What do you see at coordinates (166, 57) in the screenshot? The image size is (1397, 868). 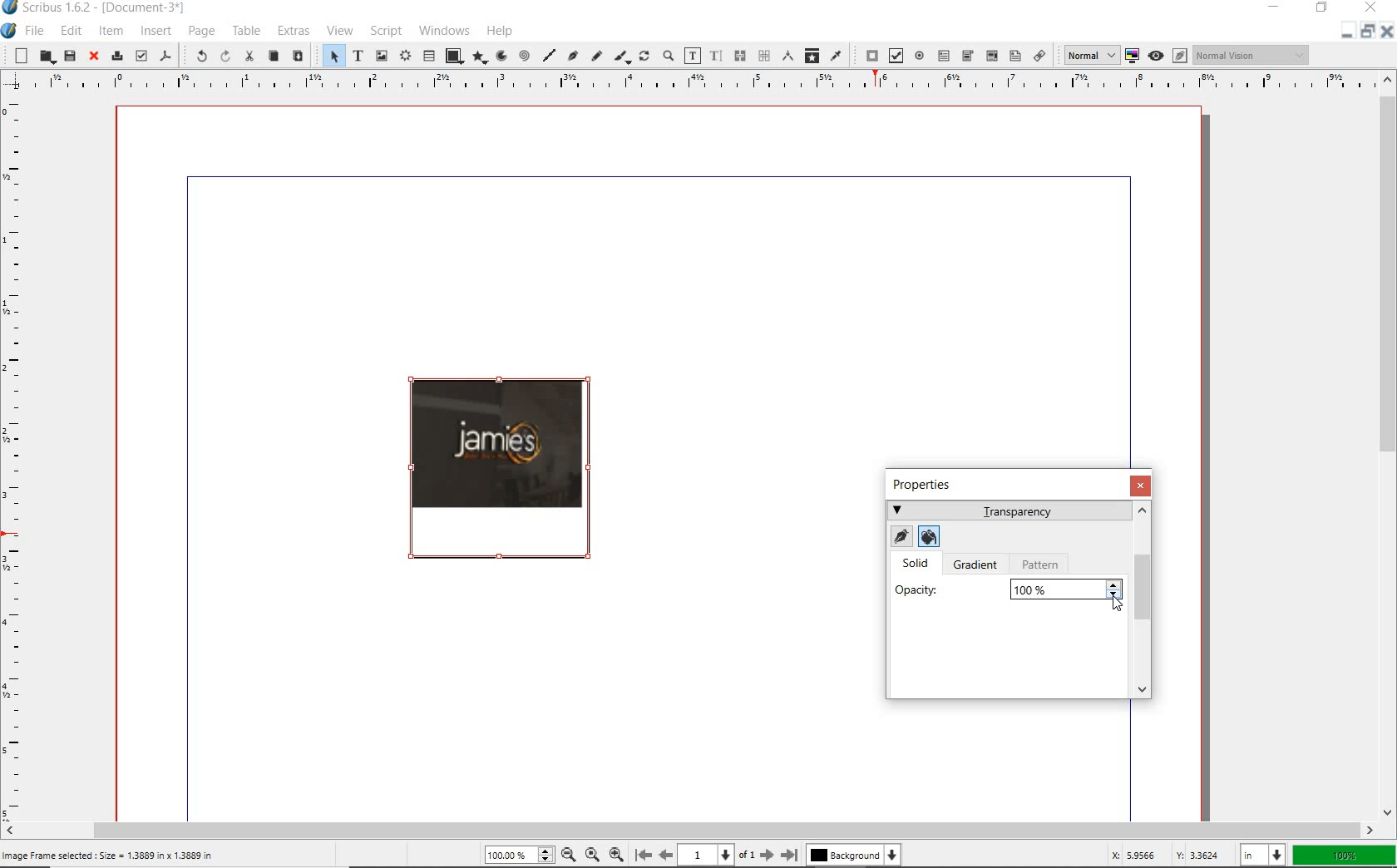 I see `save as pdf` at bounding box center [166, 57].